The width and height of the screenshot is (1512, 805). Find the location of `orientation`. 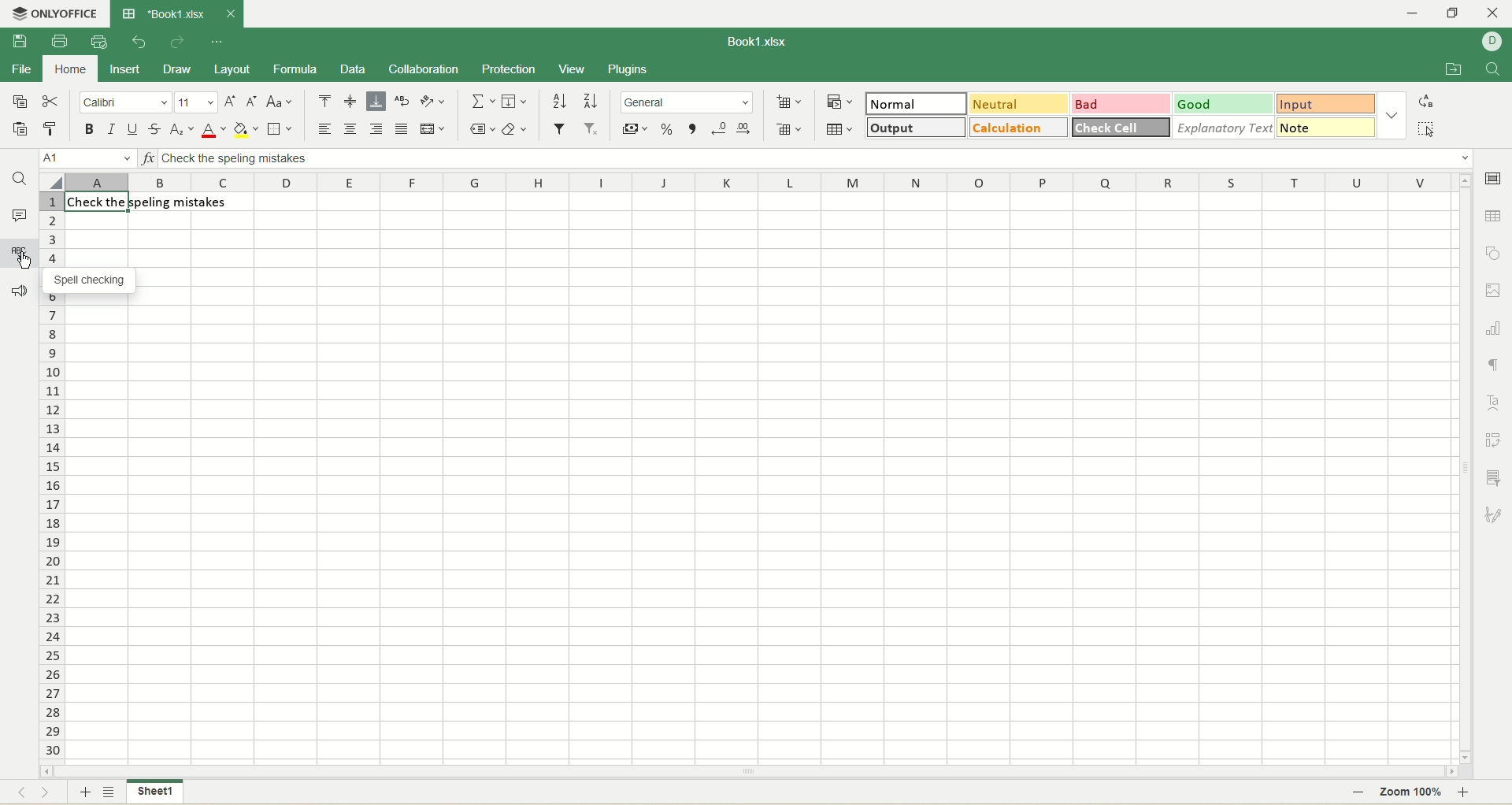

orientation is located at coordinates (432, 100).